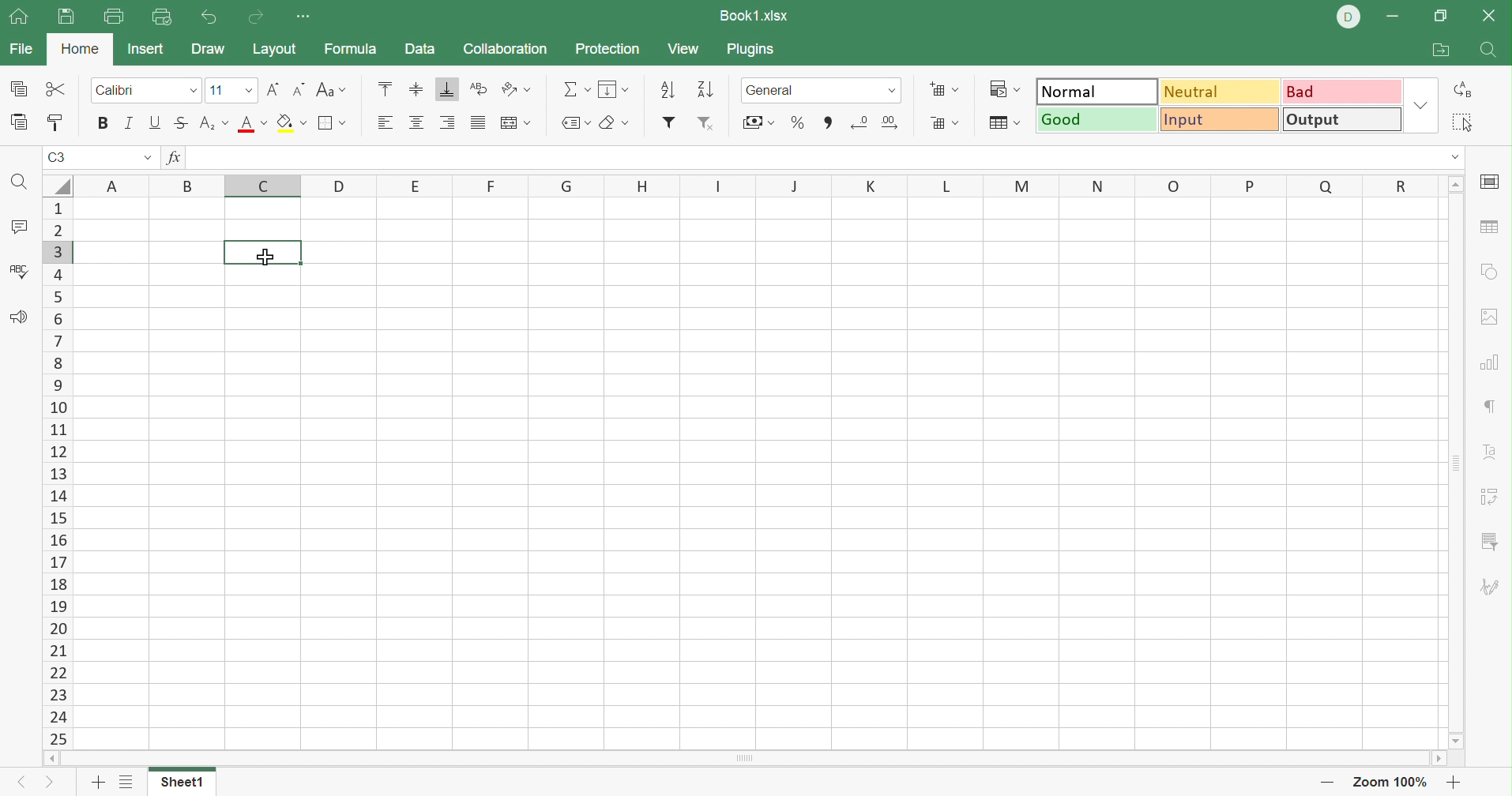  Describe the element at coordinates (232, 91) in the screenshot. I see `Font size` at that location.